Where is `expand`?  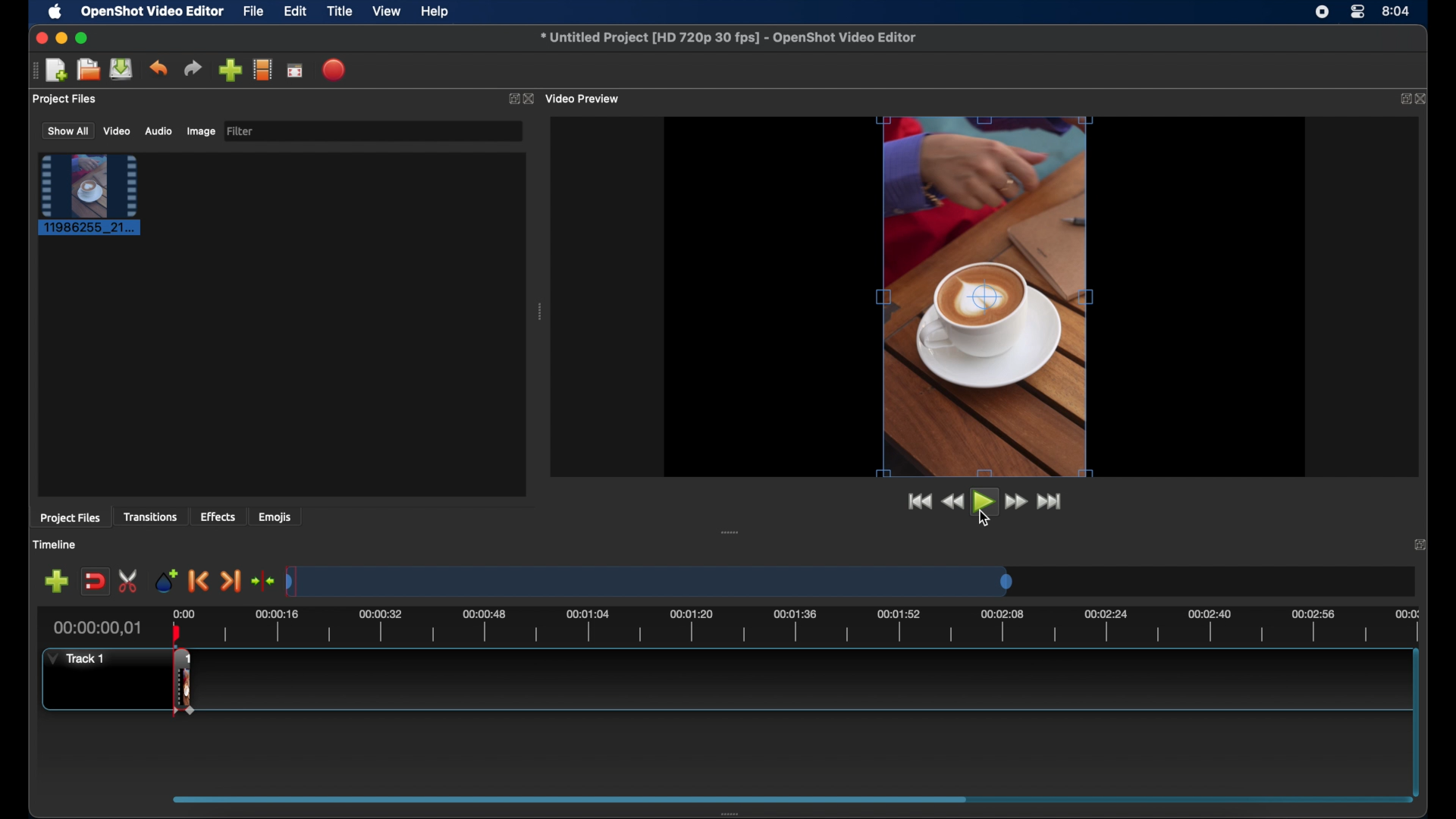
expand is located at coordinates (1401, 99).